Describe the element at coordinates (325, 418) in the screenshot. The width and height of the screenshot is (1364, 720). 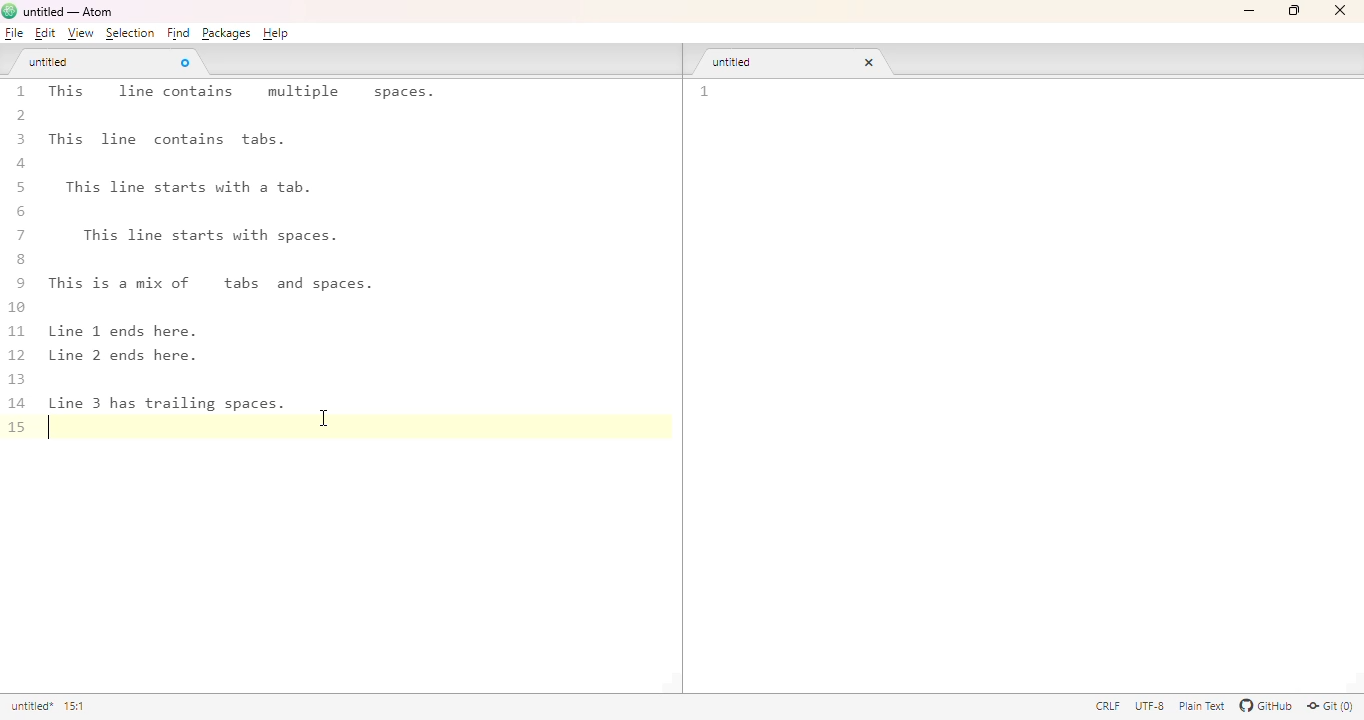
I see `cursor` at that location.